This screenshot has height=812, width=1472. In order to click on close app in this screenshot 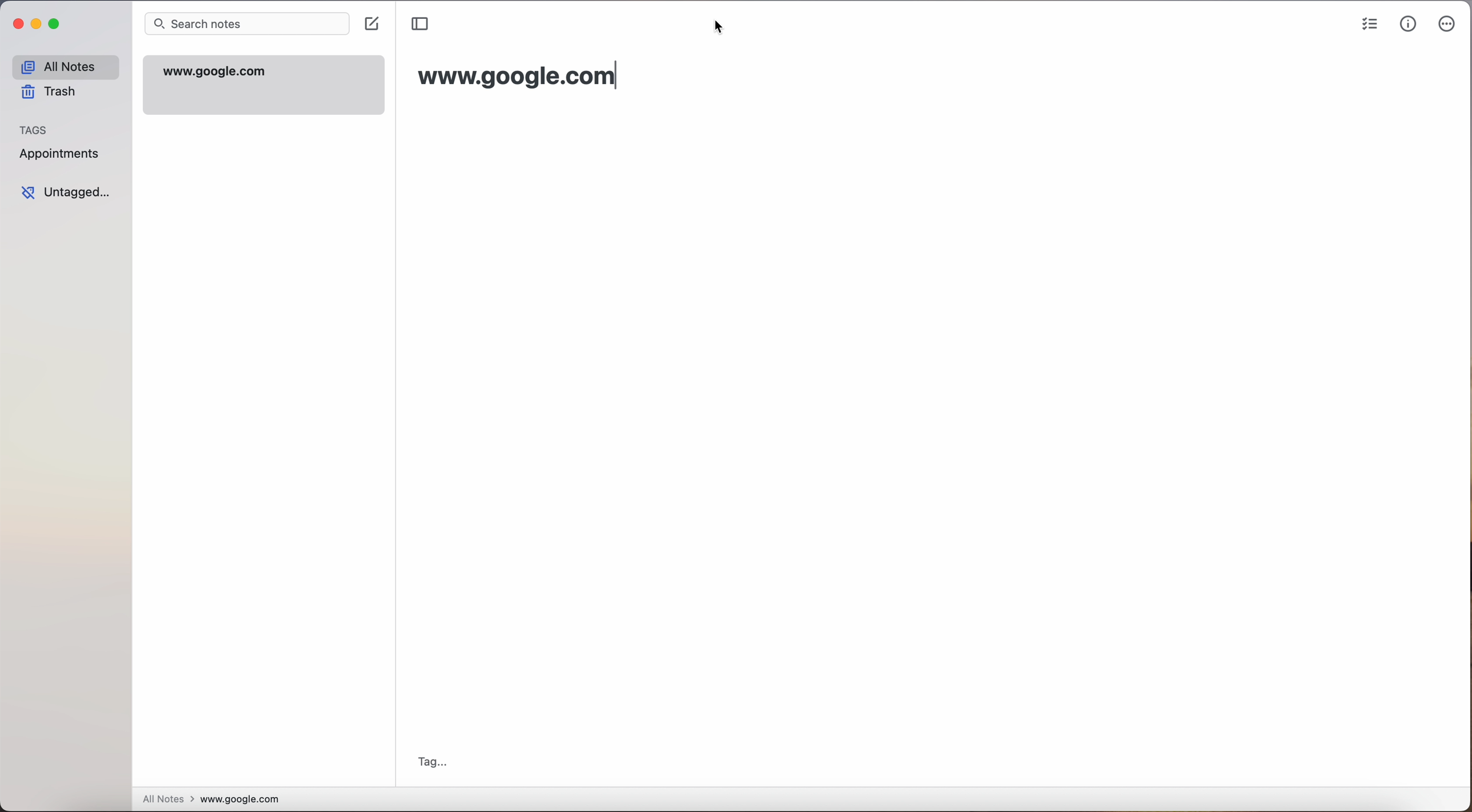, I will do `click(17, 25)`.